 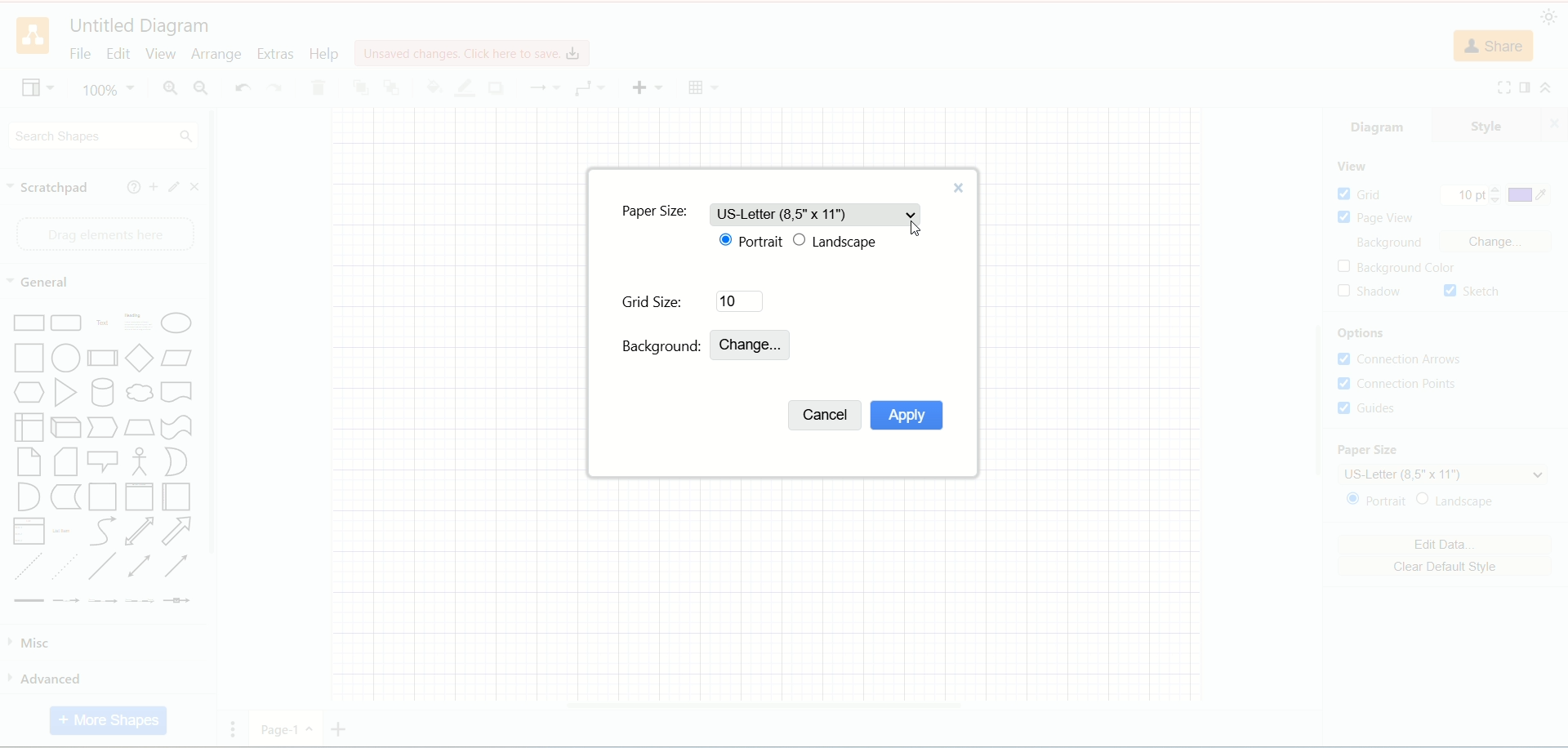 What do you see at coordinates (242, 87) in the screenshot?
I see `undo` at bounding box center [242, 87].